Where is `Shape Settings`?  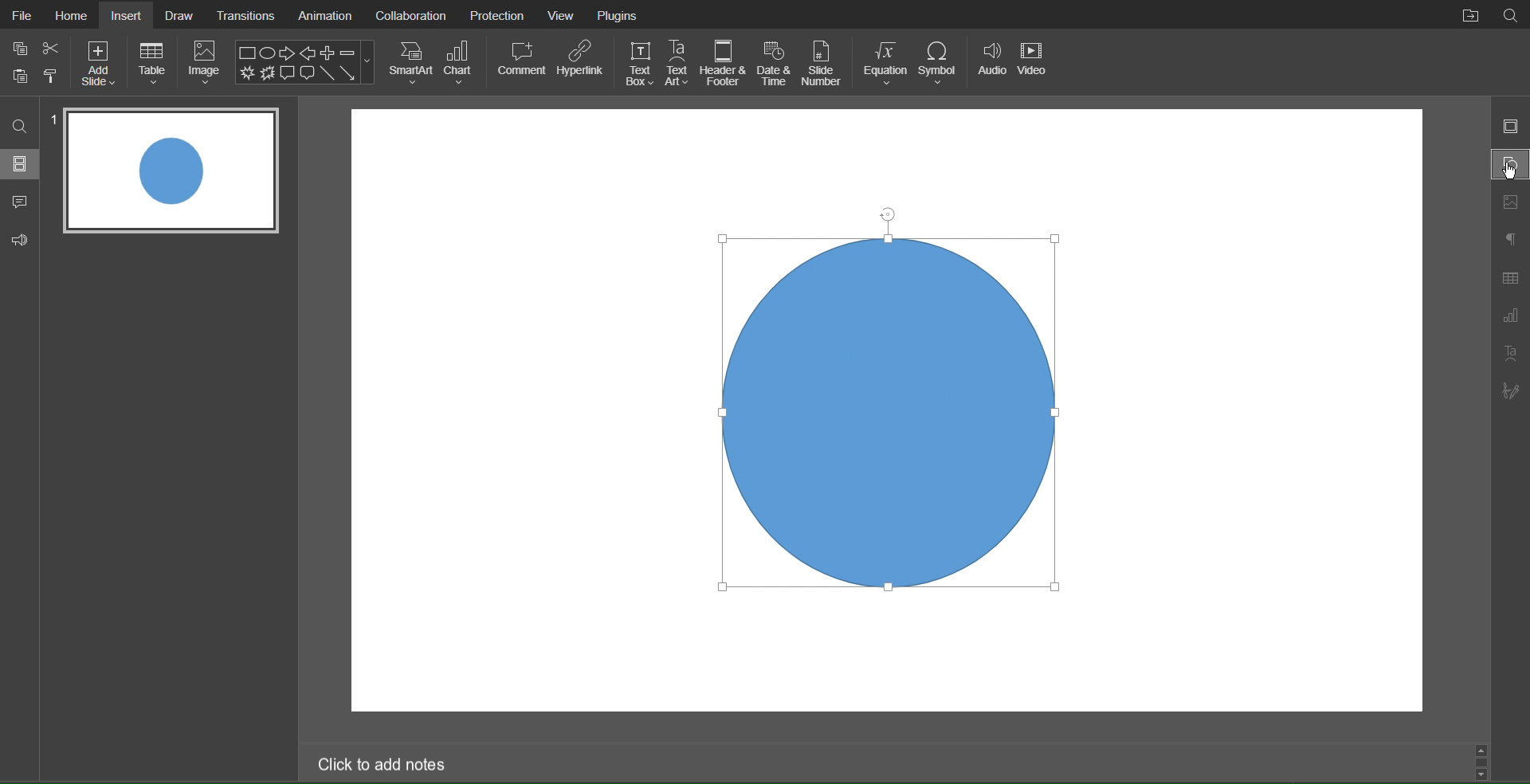
Shape Settings is located at coordinates (1509, 165).